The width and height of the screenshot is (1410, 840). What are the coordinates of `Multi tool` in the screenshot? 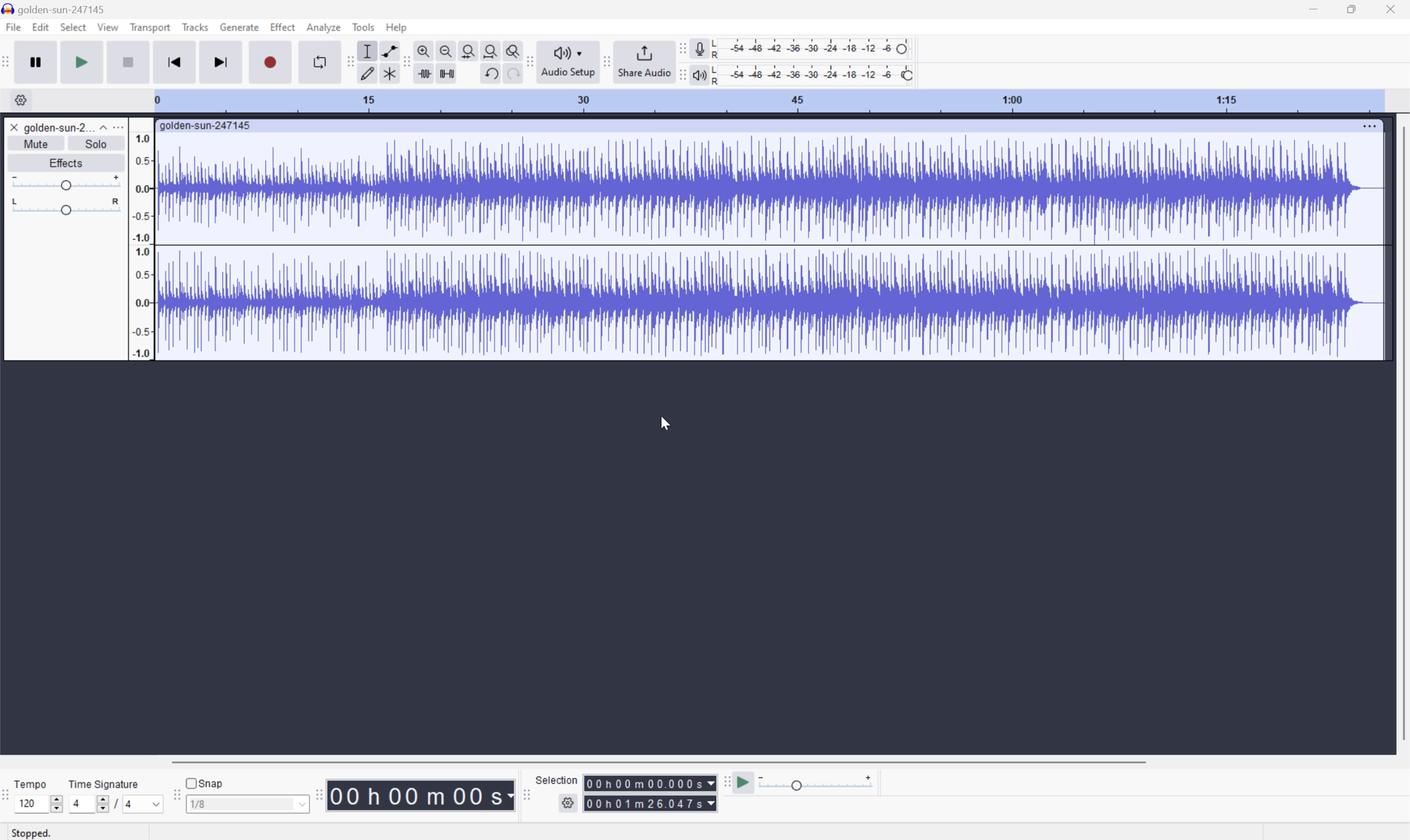 It's located at (387, 74).